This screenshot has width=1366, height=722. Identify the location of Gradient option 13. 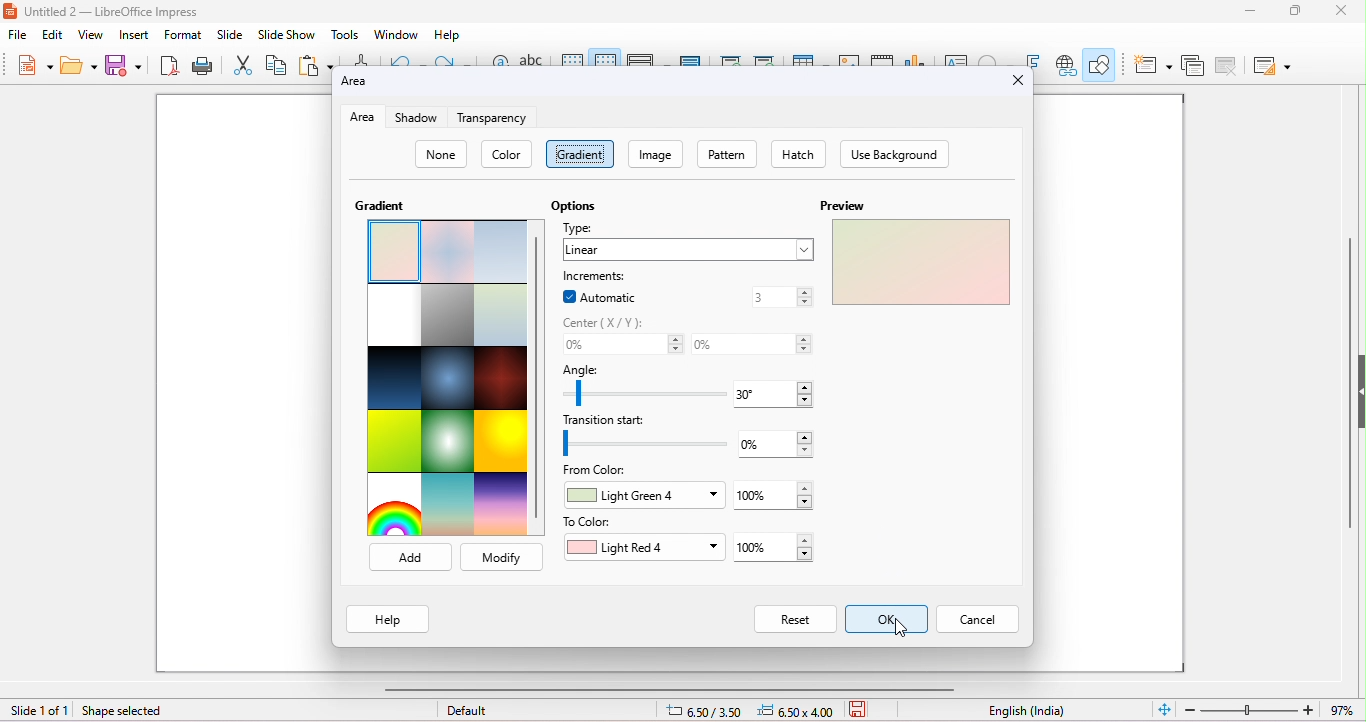
(392, 506).